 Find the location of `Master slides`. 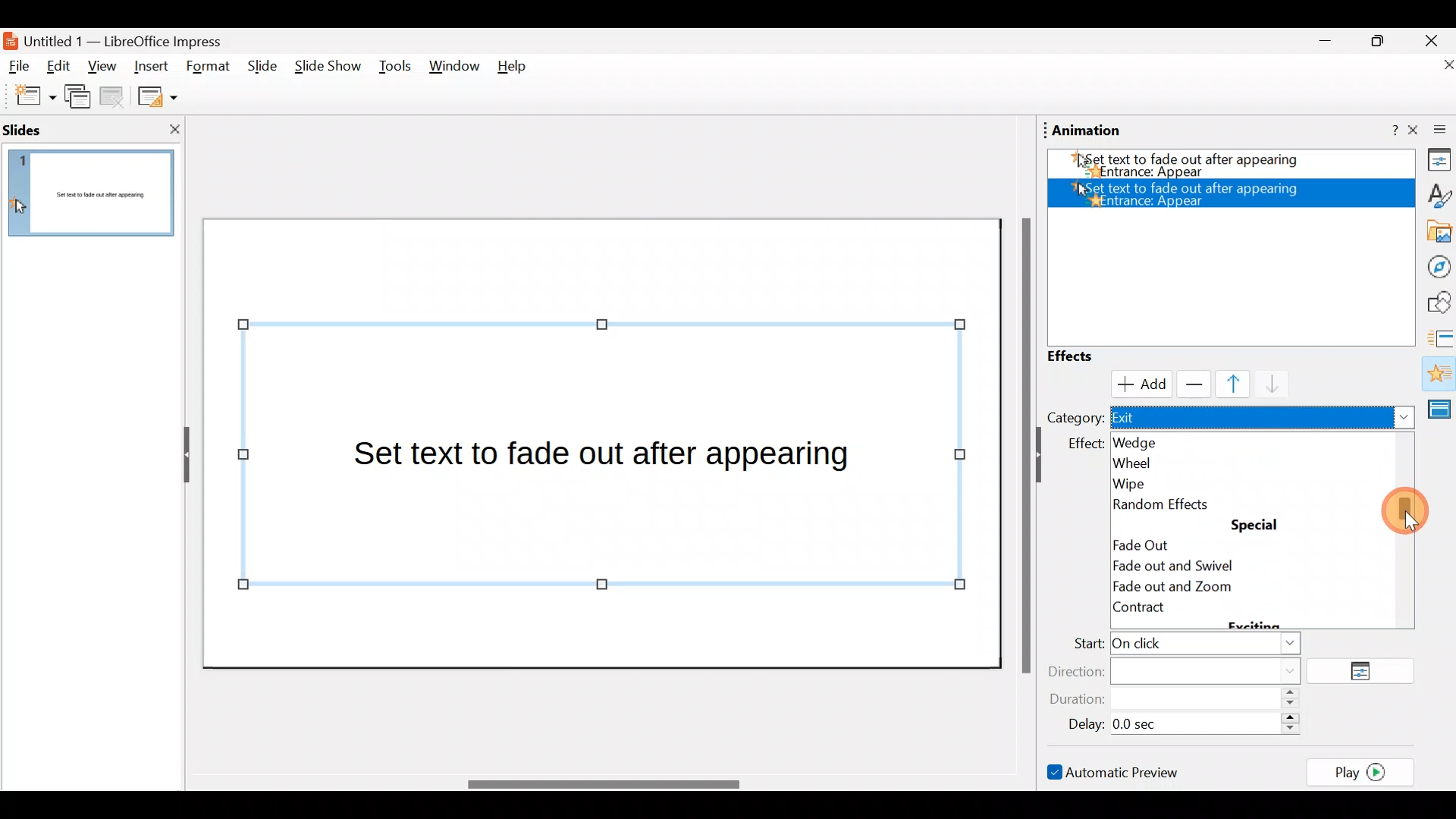

Master slides is located at coordinates (1442, 408).